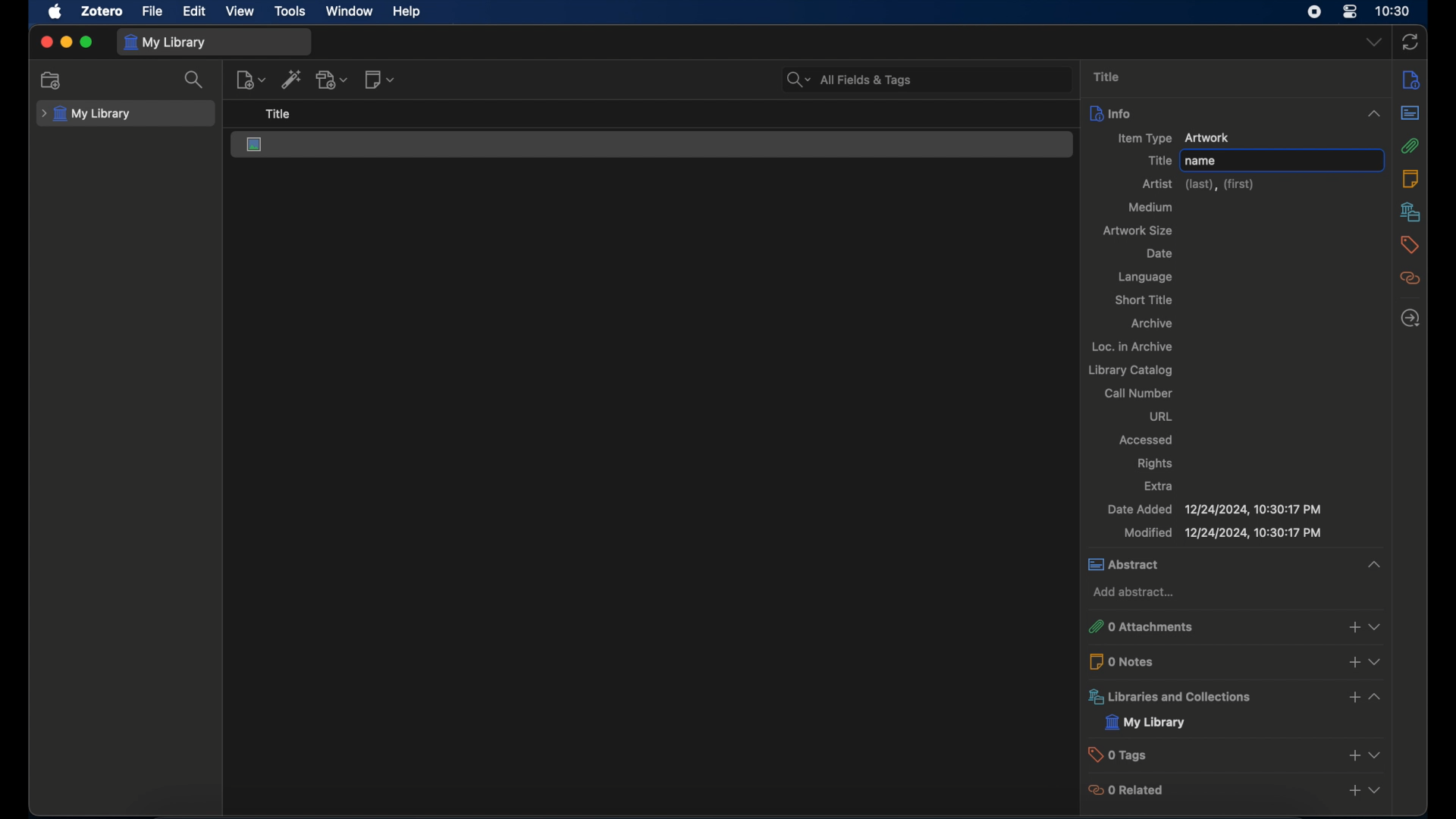 The height and width of the screenshot is (819, 1456). I want to click on 0 tags, so click(1156, 755).